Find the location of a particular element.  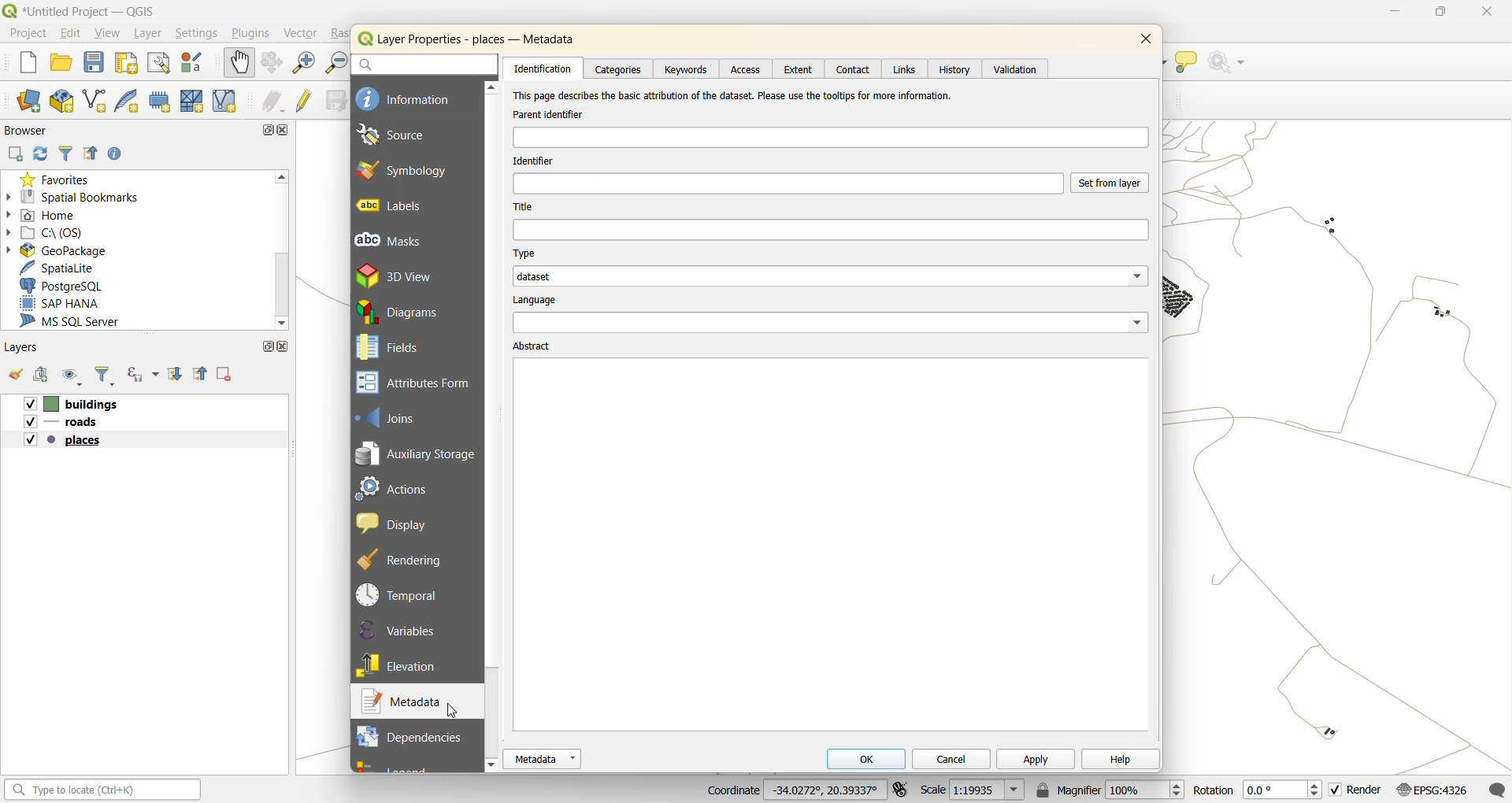

open is located at coordinates (17, 375).